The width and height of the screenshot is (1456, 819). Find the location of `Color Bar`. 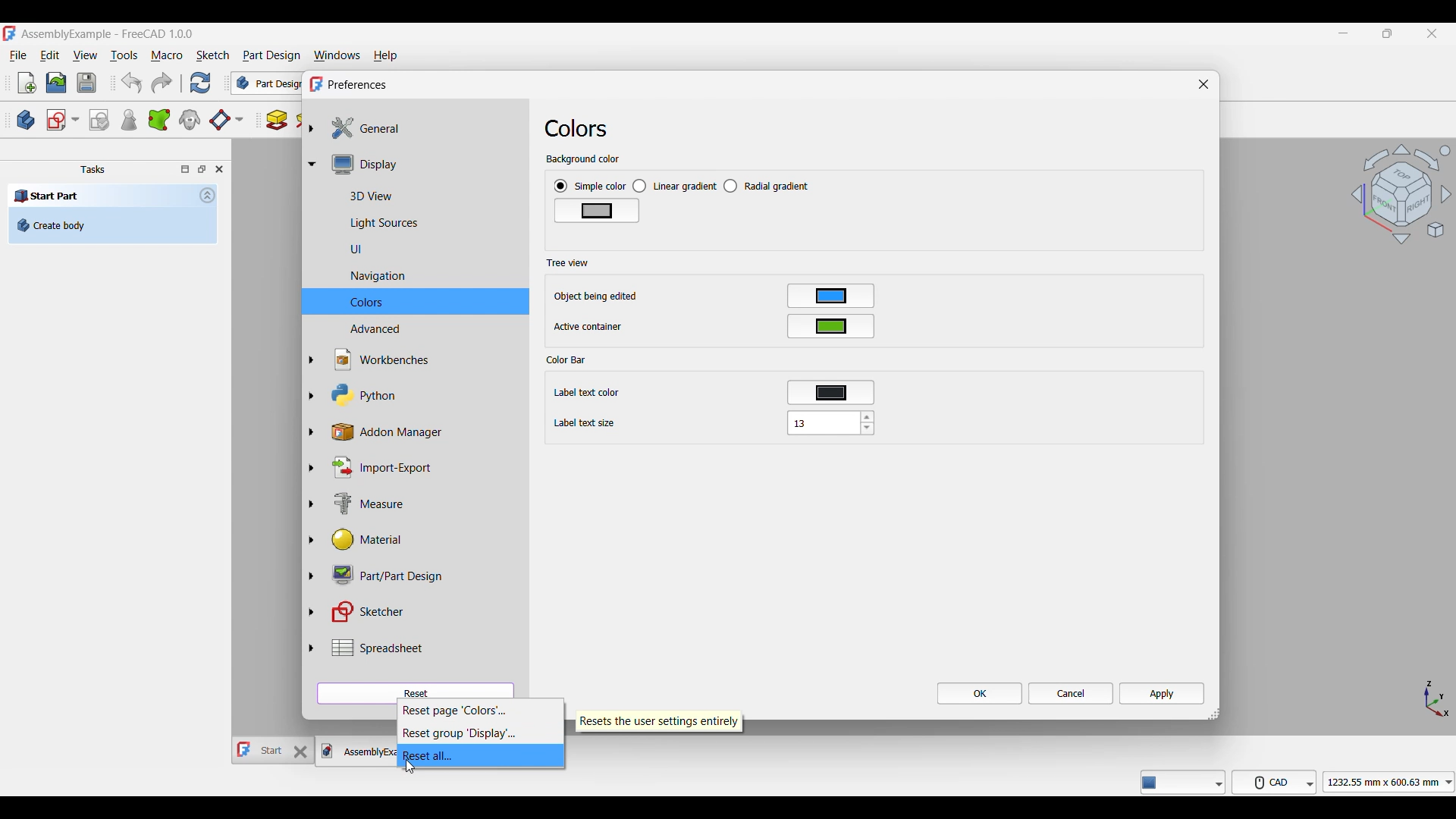

Color Bar is located at coordinates (566, 360).